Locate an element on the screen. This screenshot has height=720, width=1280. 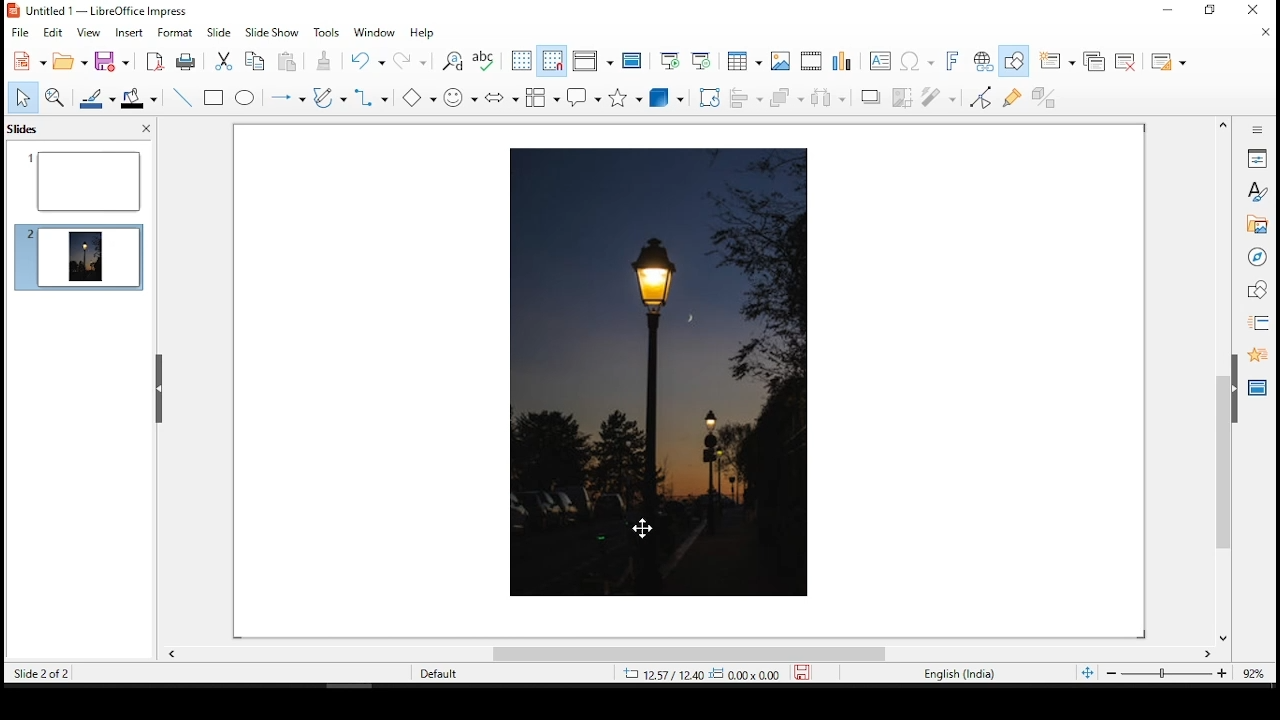
navigator is located at coordinates (1257, 257).